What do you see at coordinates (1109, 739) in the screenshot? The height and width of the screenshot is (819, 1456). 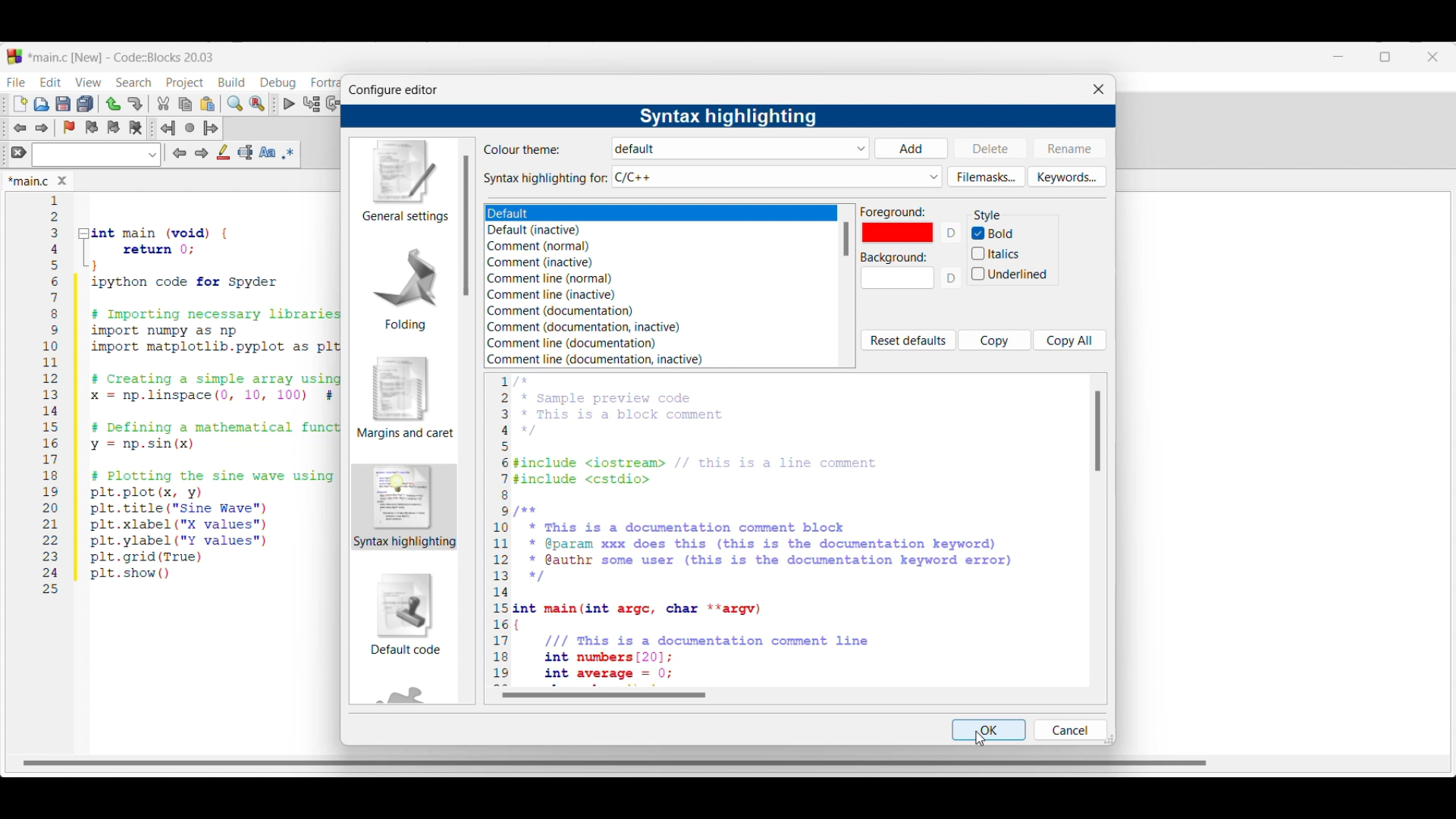 I see `Change dimension` at bounding box center [1109, 739].